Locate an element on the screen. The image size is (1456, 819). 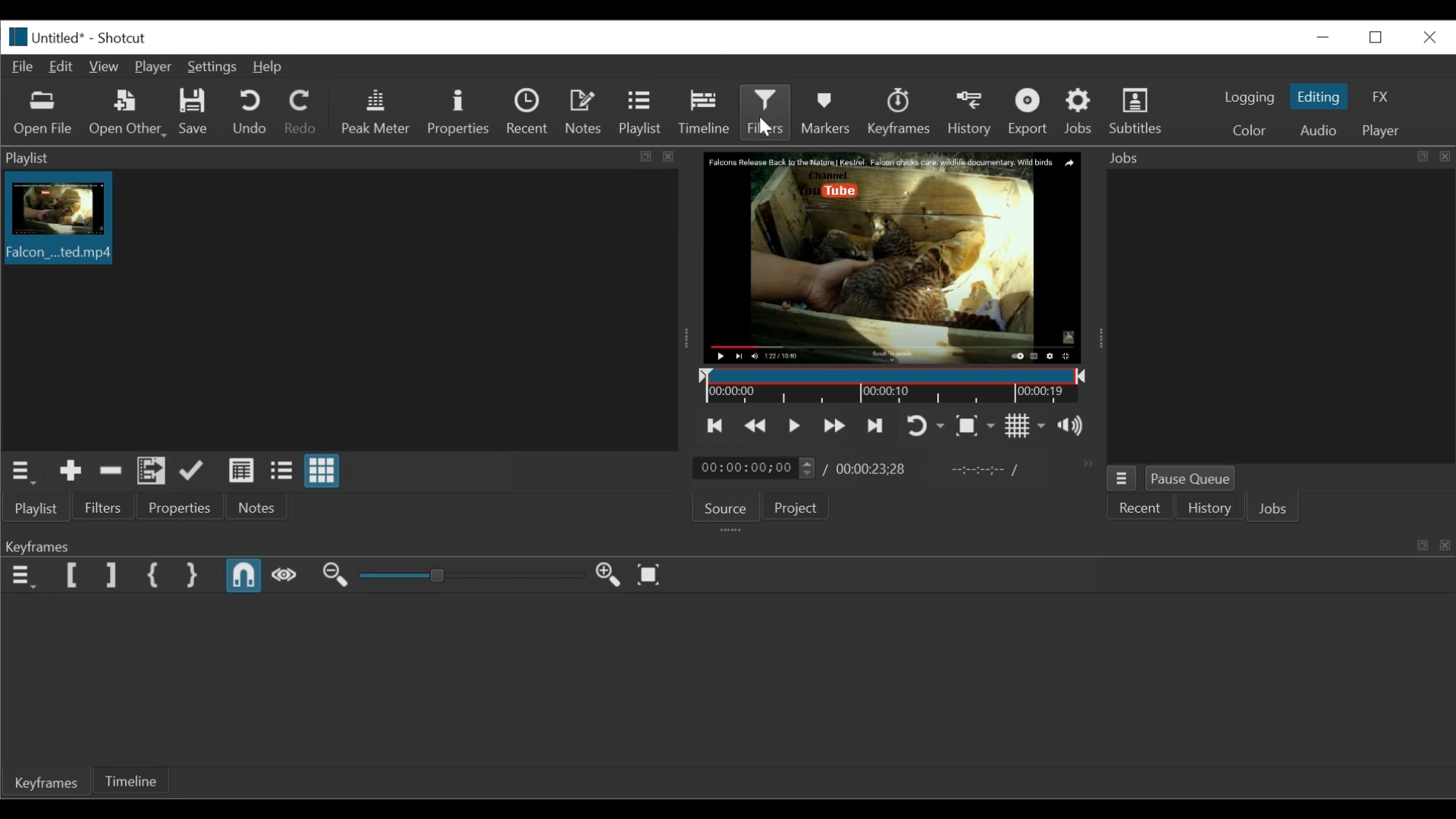
Pause Queue is located at coordinates (1190, 479).